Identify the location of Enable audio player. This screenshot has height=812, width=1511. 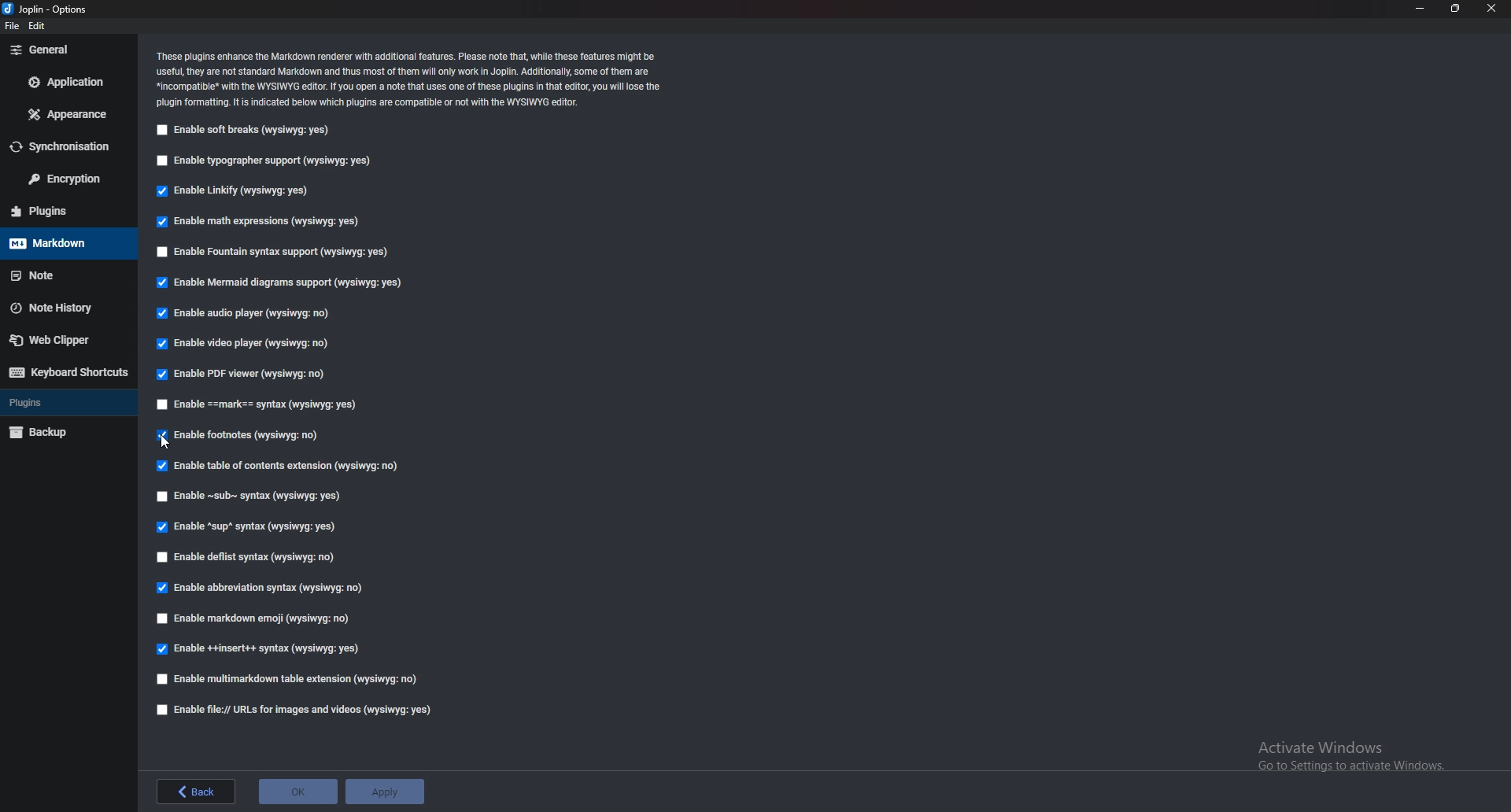
(247, 313).